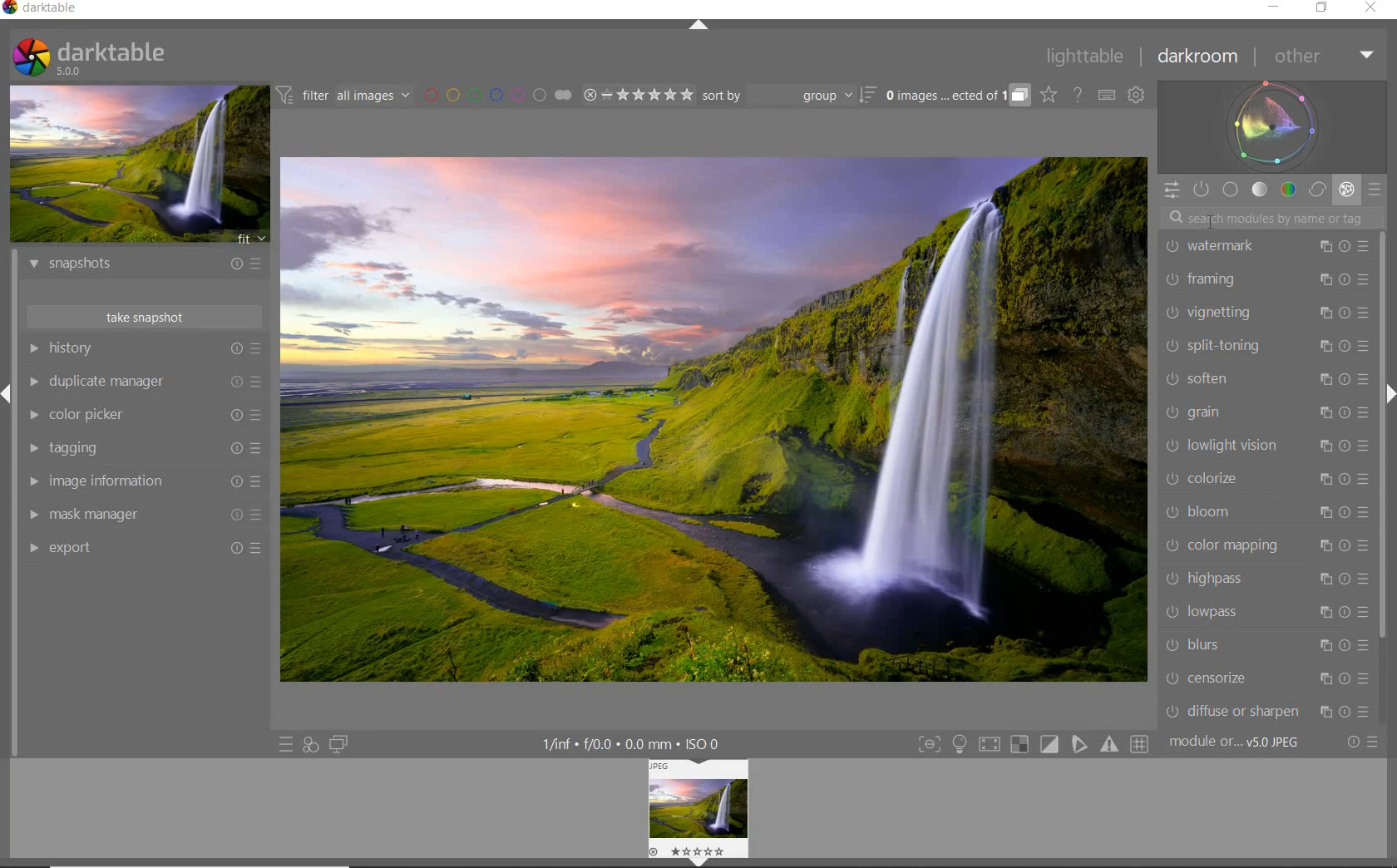  I want to click on tagging, so click(144, 448).